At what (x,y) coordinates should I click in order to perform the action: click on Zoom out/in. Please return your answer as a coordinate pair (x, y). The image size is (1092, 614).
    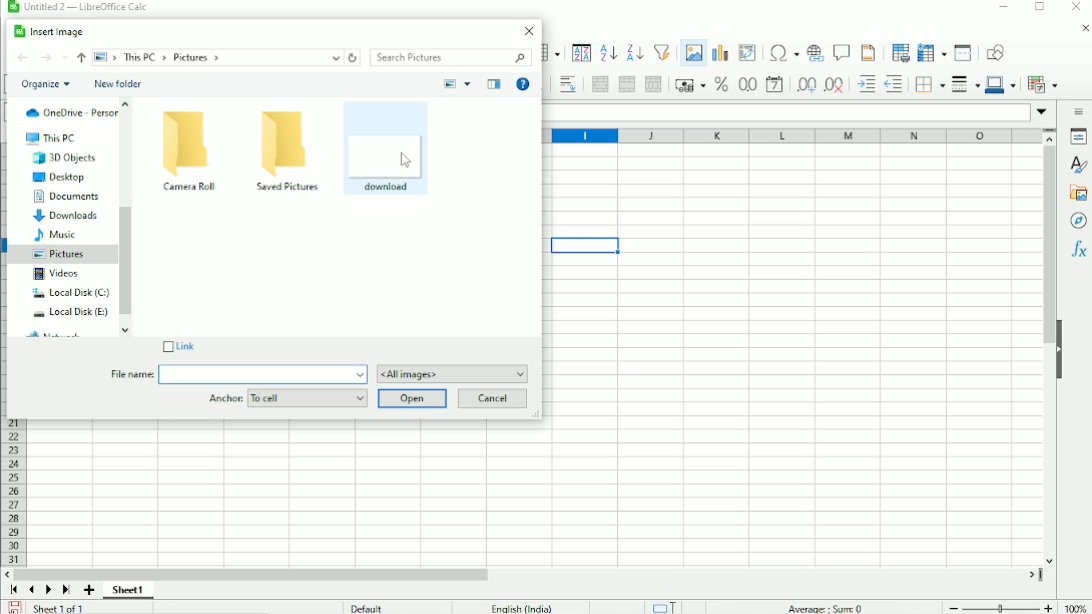
    Looking at the image, I should click on (1001, 607).